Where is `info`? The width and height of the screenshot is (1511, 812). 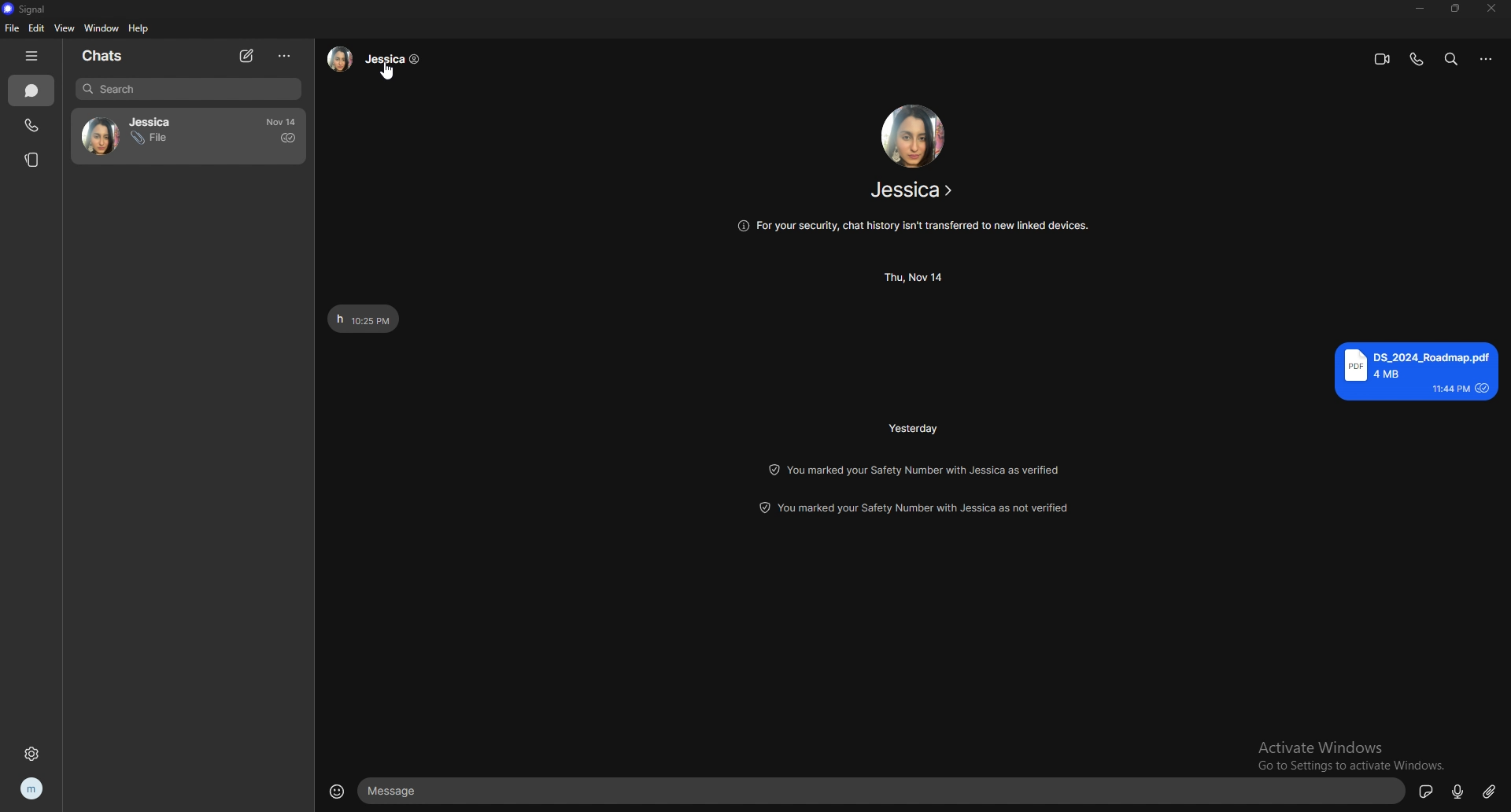 info is located at coordinates (376, 59).